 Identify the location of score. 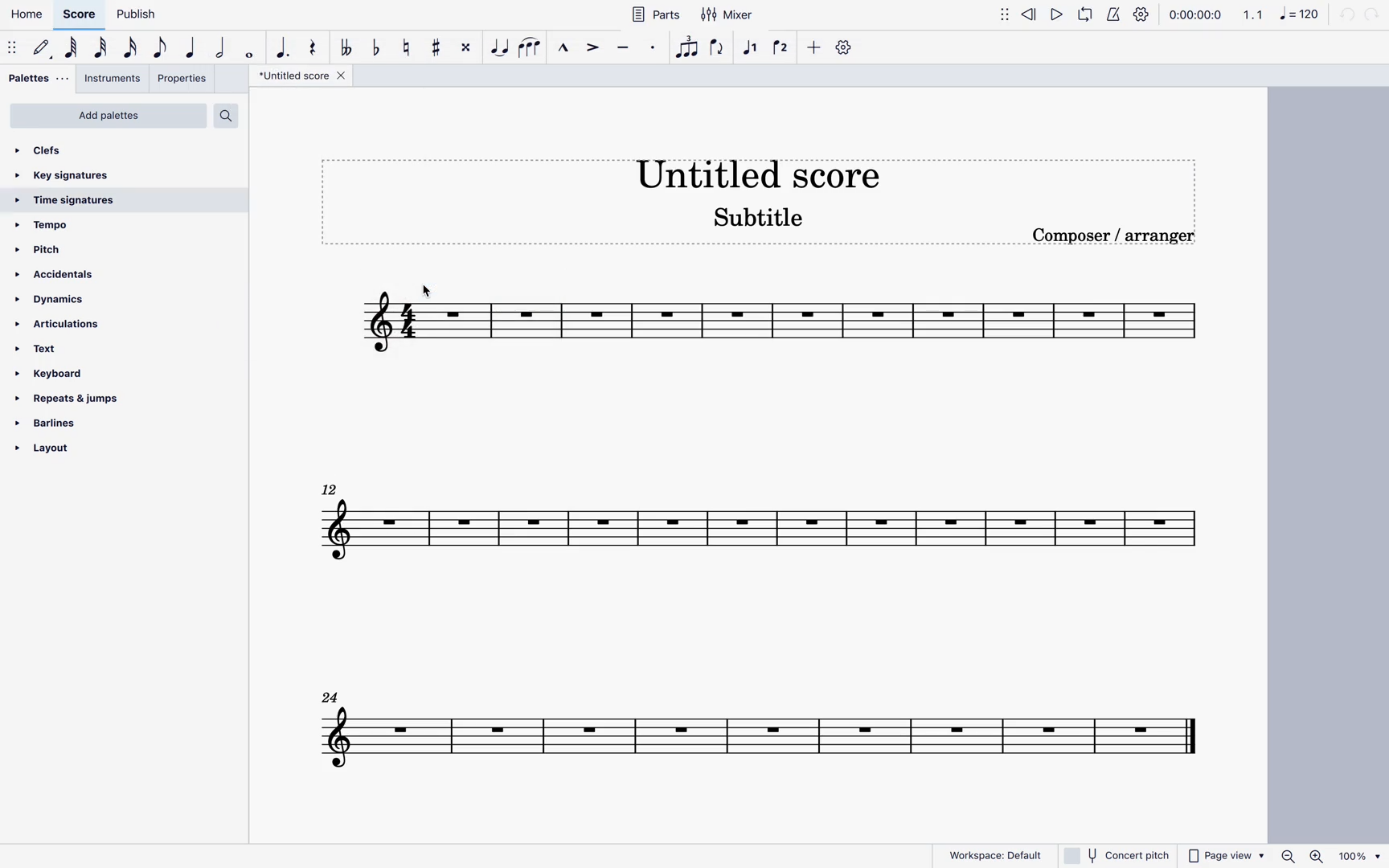
(82, 15).